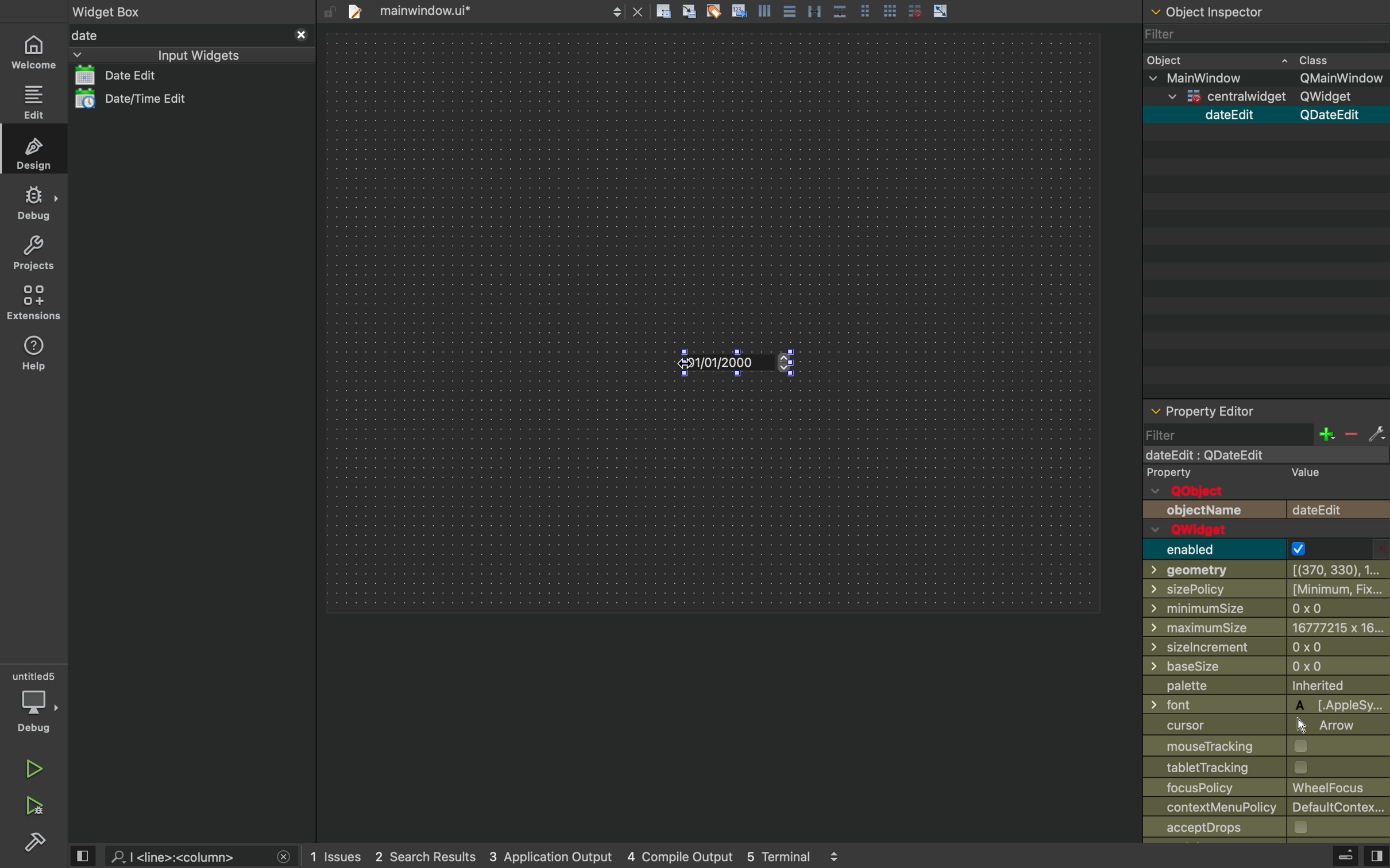 This screenshot has height=868, width=1390. I want to click on close, so click(302, 35).